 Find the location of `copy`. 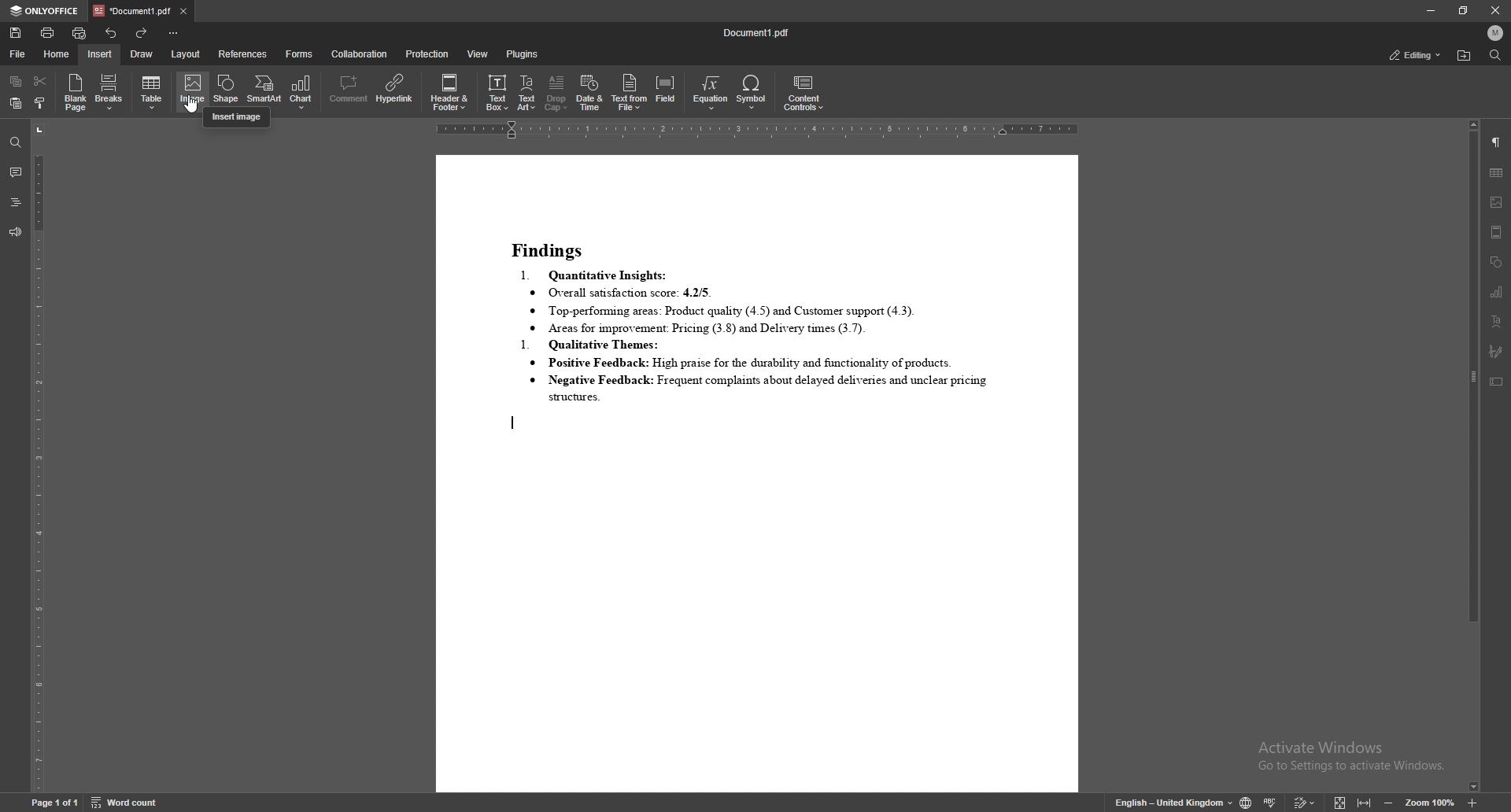

copy is located at coordinates (17, 82).